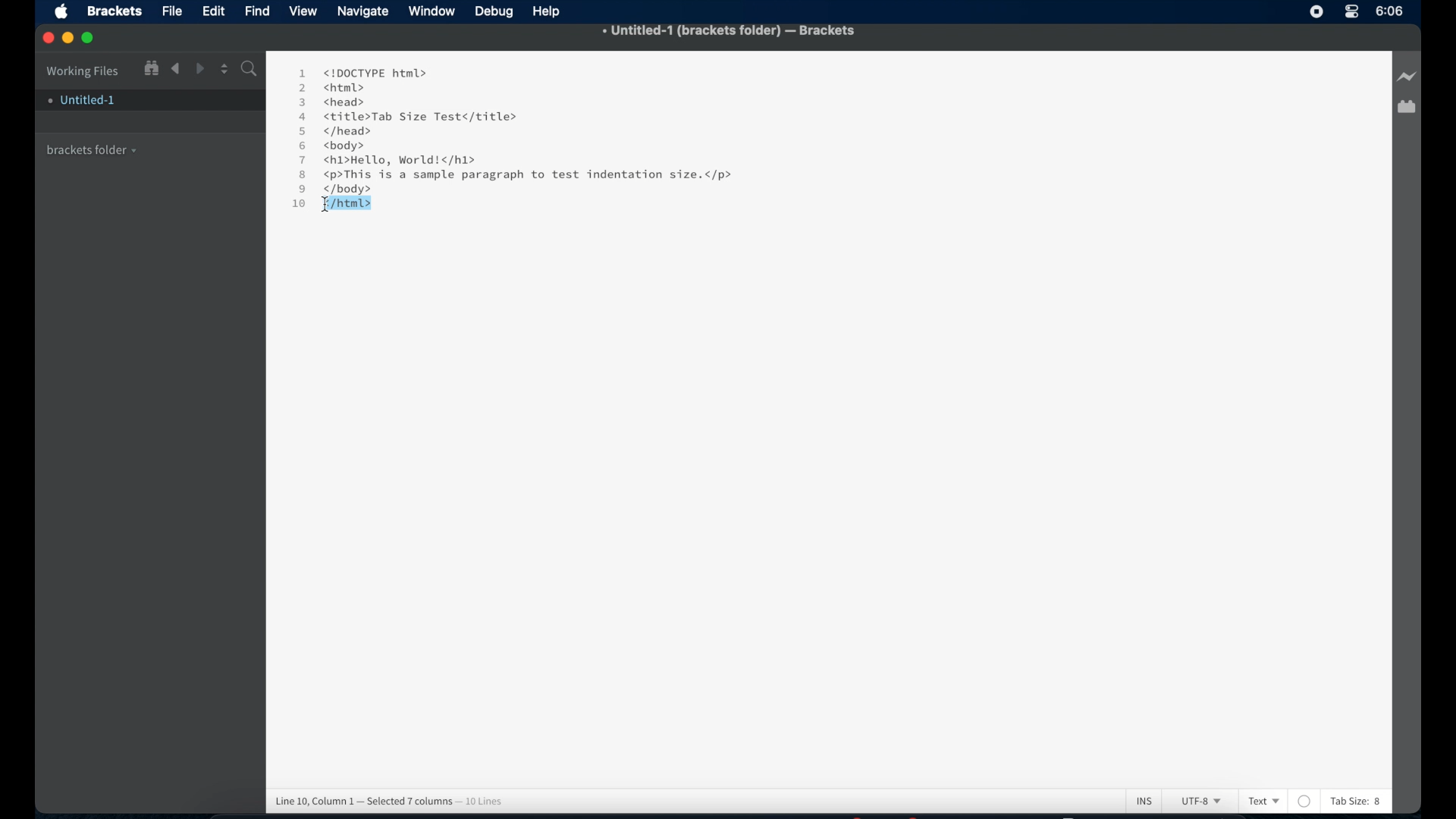 The width and height of the screenshot is (1456, 819). I want to click on 3 <head>, so click(334, 101).